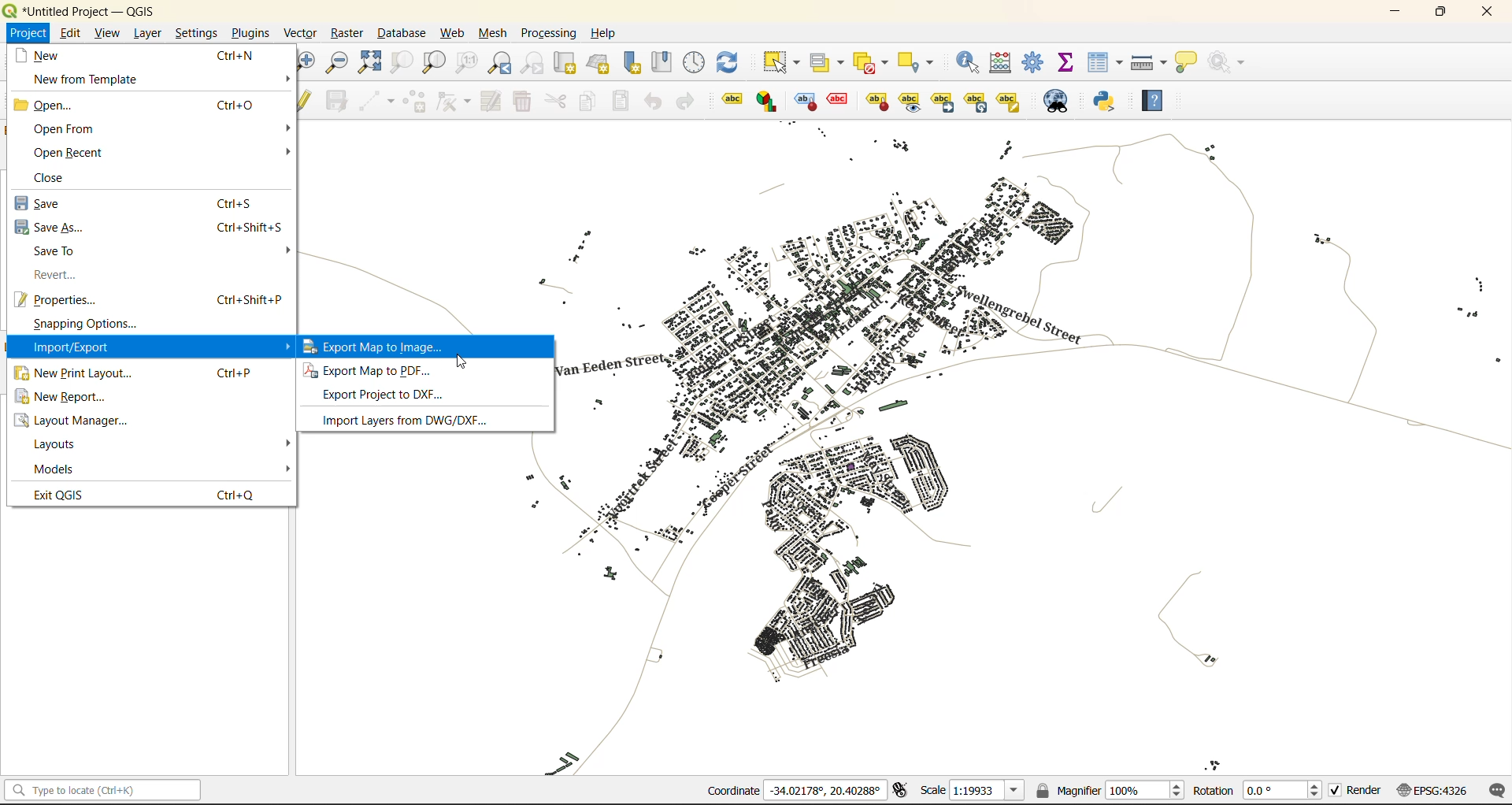 The image size is (1512, 805). I want to click on pin/unpin lable and diagram, so click(840, 101).